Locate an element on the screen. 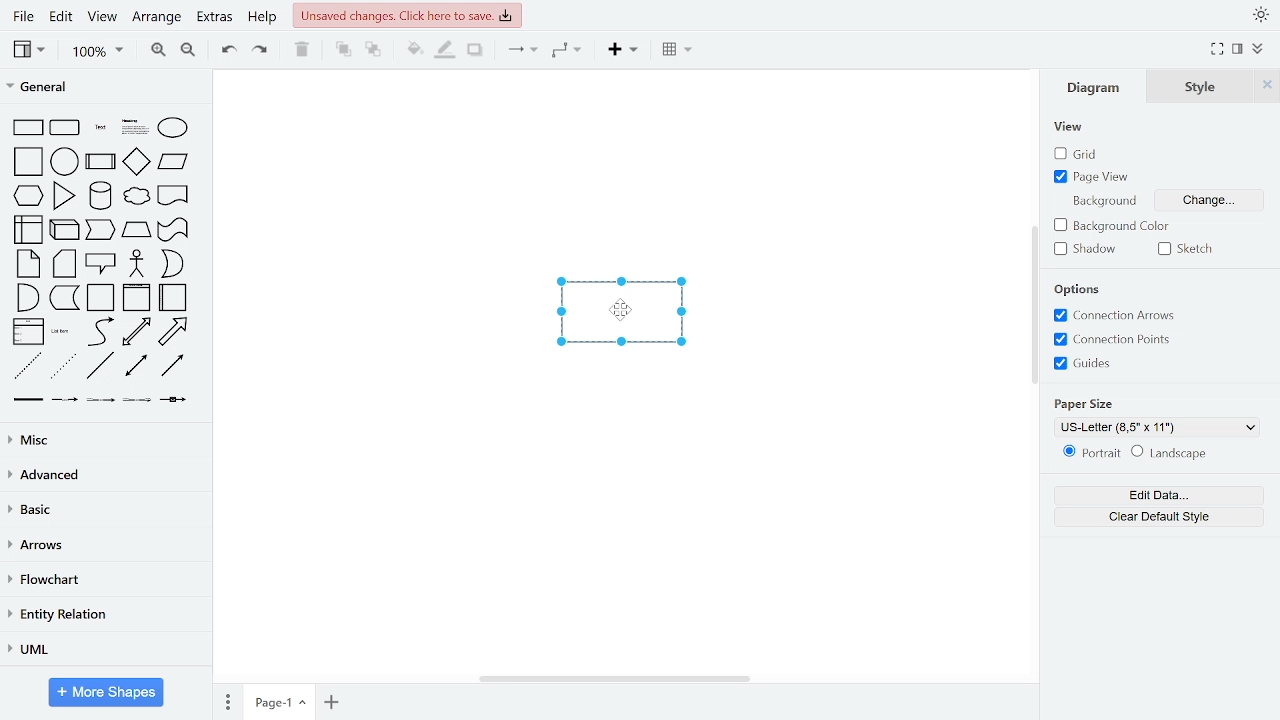  general shapes is located at coordinates (171, 331).